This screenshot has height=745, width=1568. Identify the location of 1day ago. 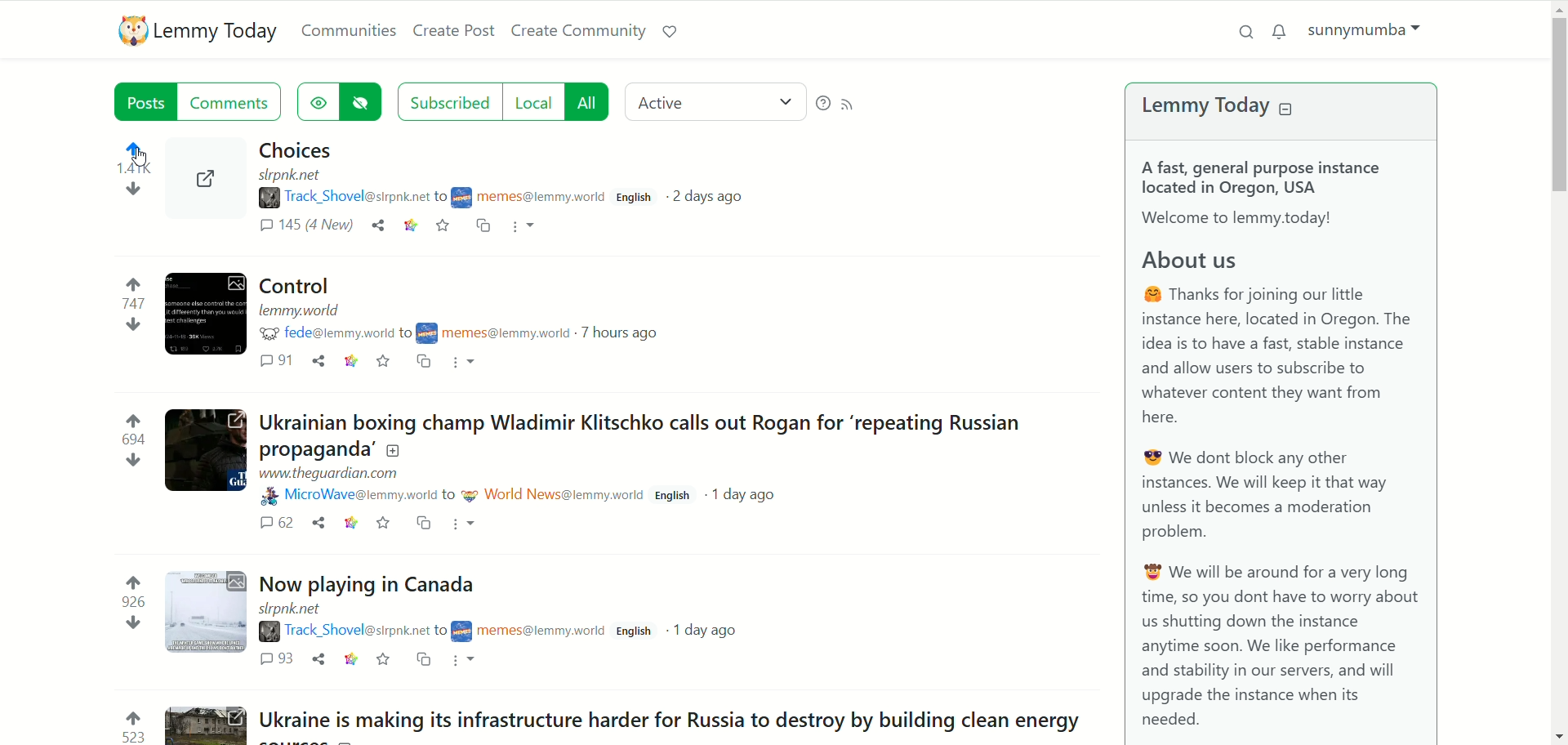
(751, 497).